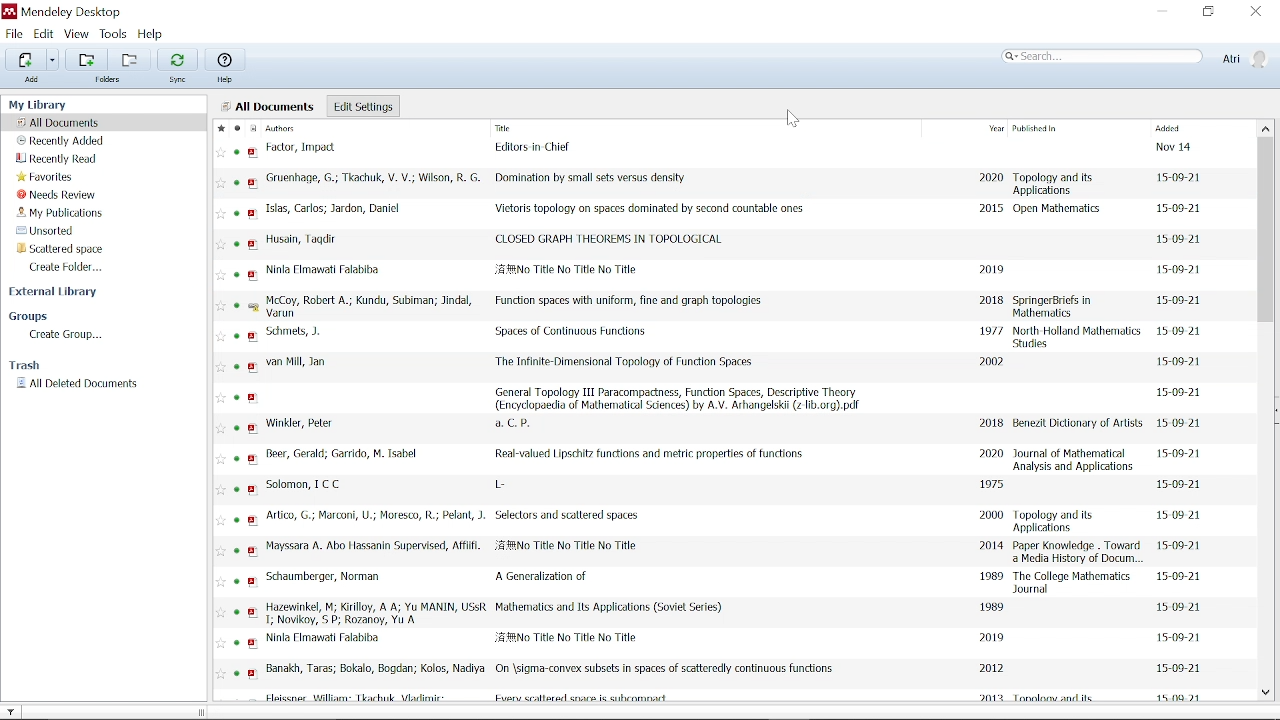 Image resolution: width=1280 pixels, height=720 pixels. Describe the element at coordinates (14, 34) in the screenshot. I see `File` at that location.